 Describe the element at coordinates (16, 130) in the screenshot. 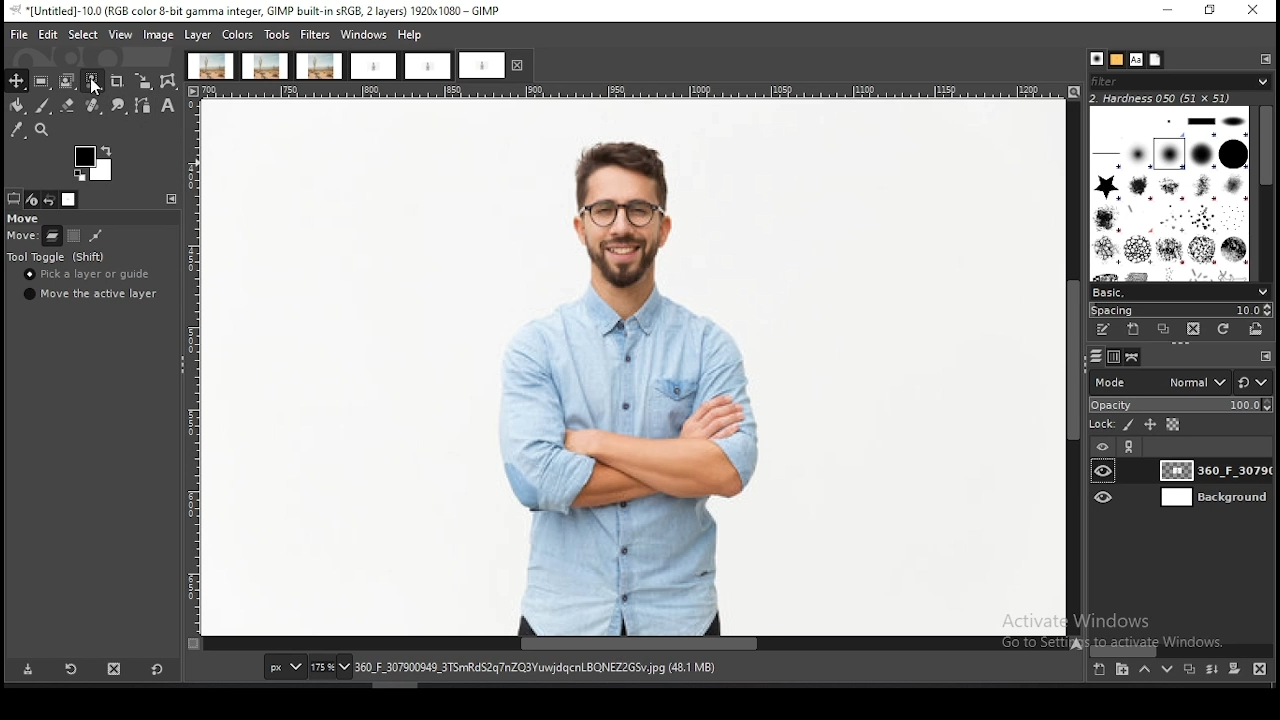

I see `color picker tool` at that location.